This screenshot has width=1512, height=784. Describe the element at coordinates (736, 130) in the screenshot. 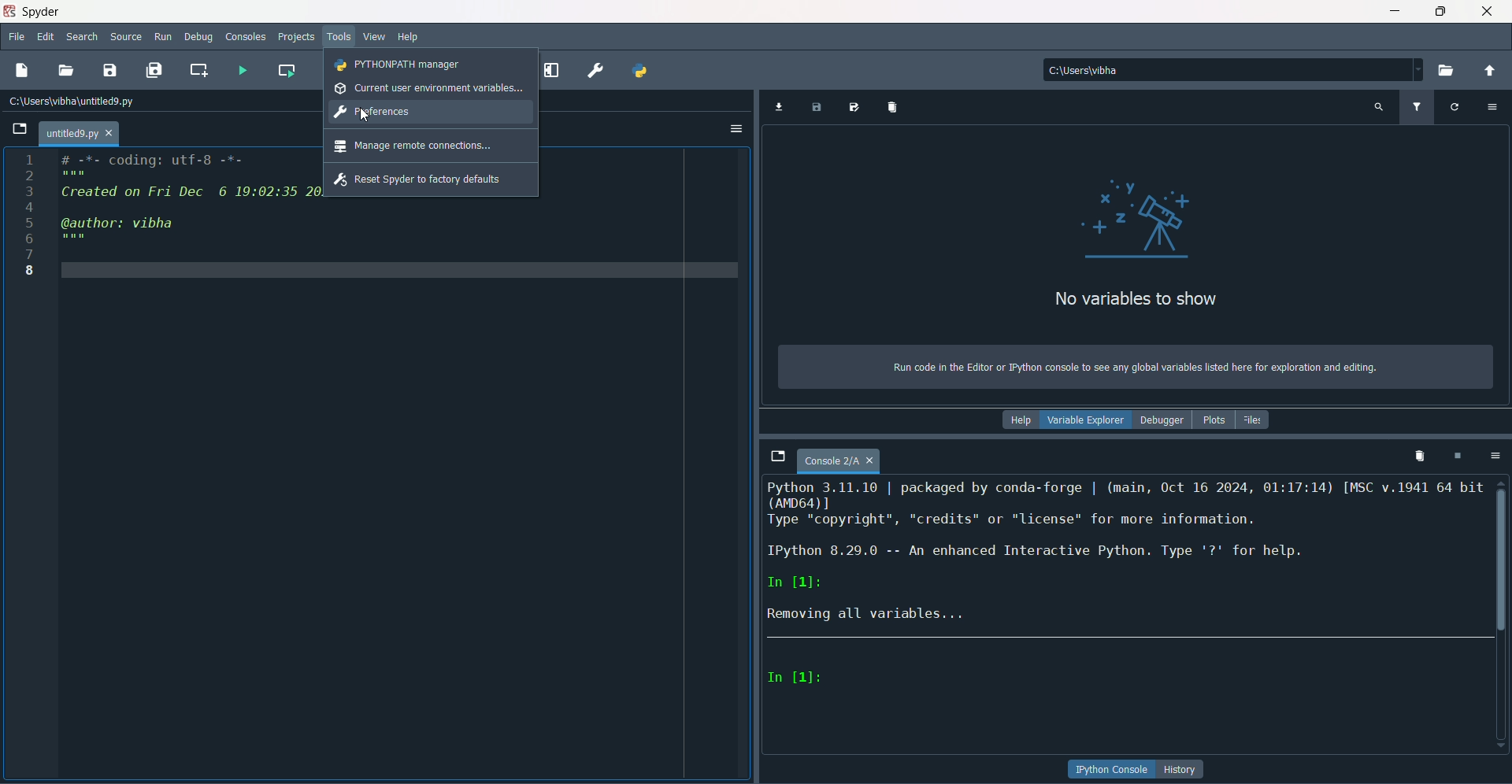

I see `options` at that location.